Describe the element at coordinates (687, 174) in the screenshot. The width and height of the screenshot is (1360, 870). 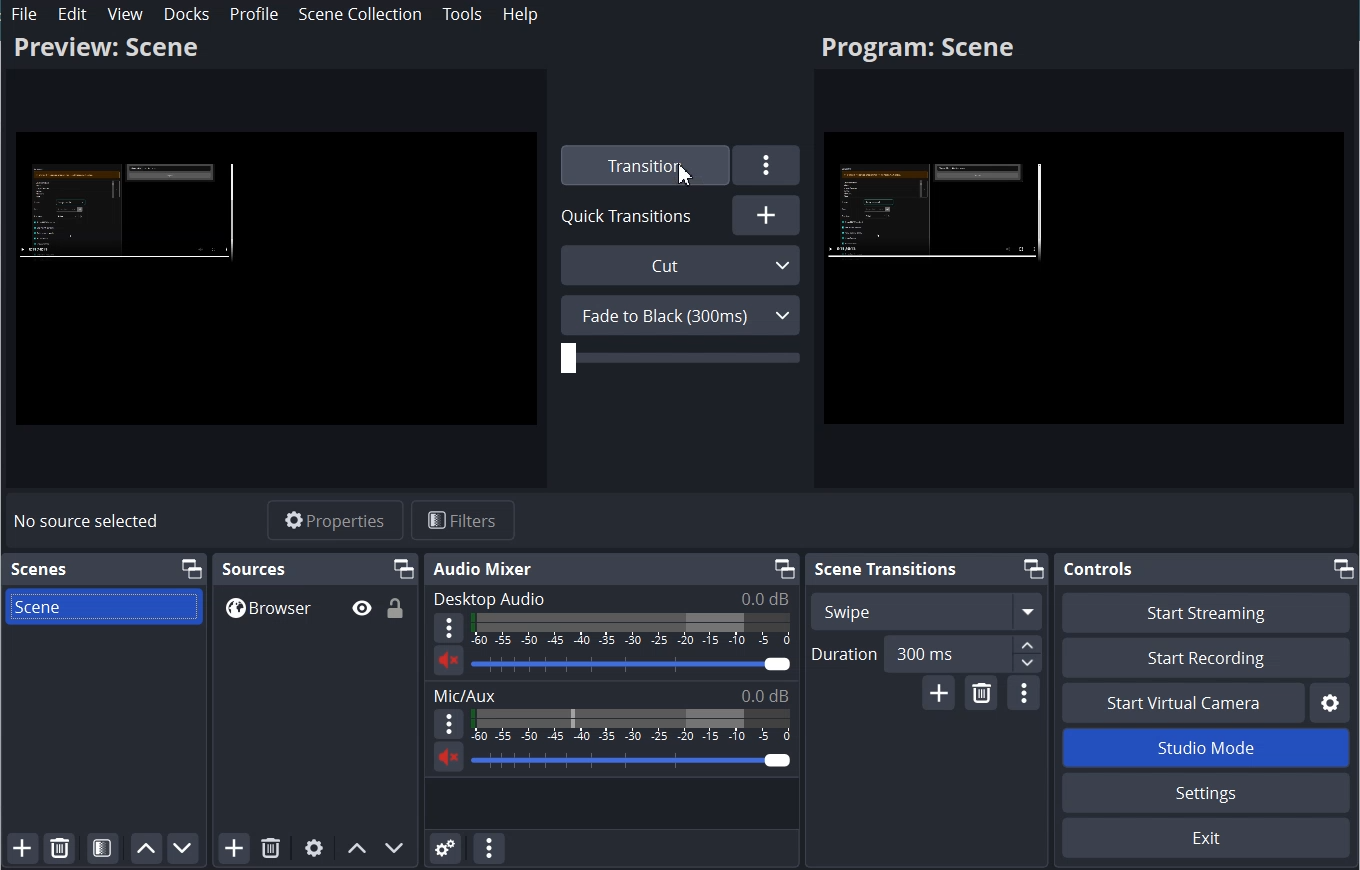
I see `Cursor` at that location.